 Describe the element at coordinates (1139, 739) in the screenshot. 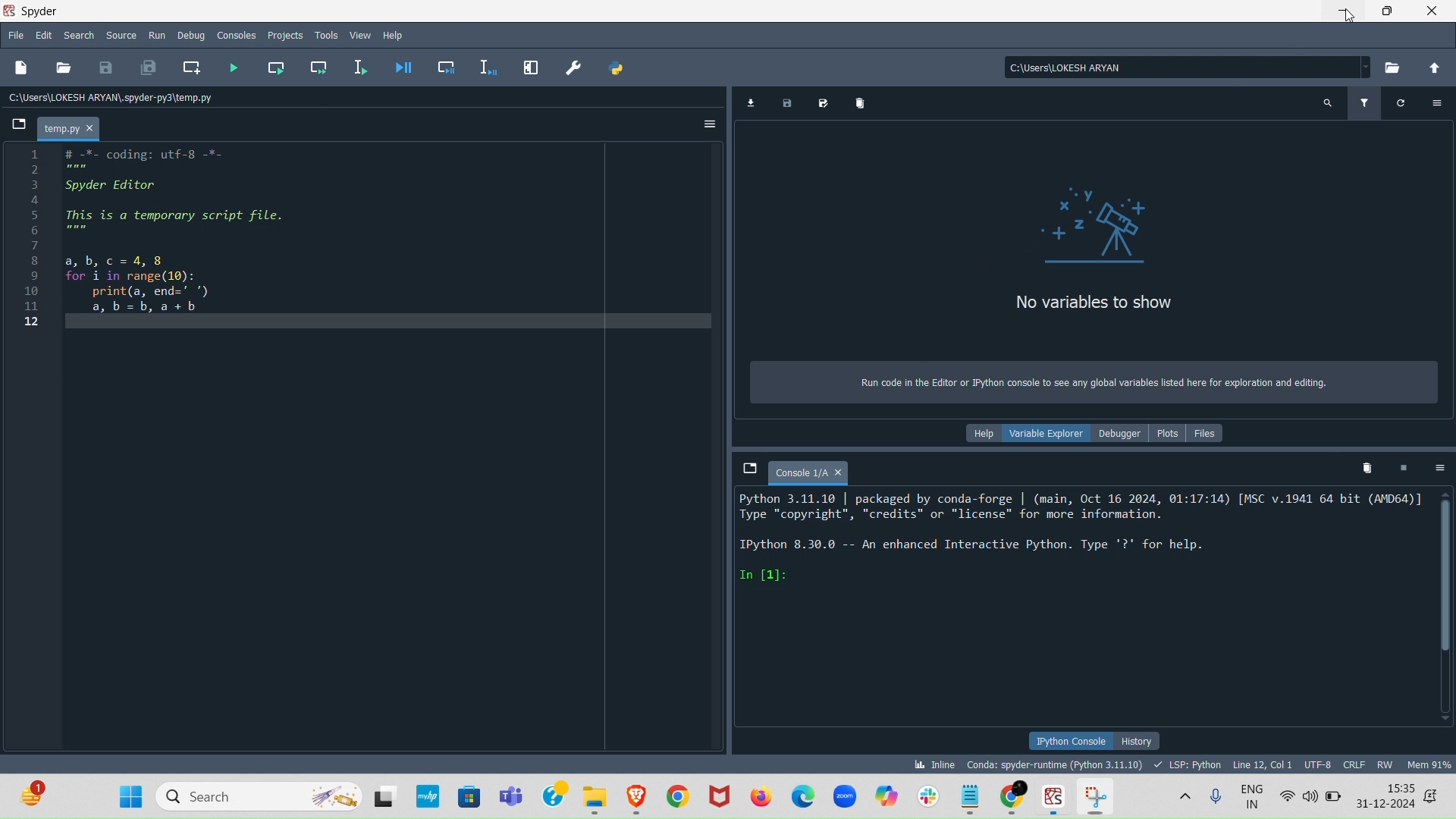

I see `History` at that location.